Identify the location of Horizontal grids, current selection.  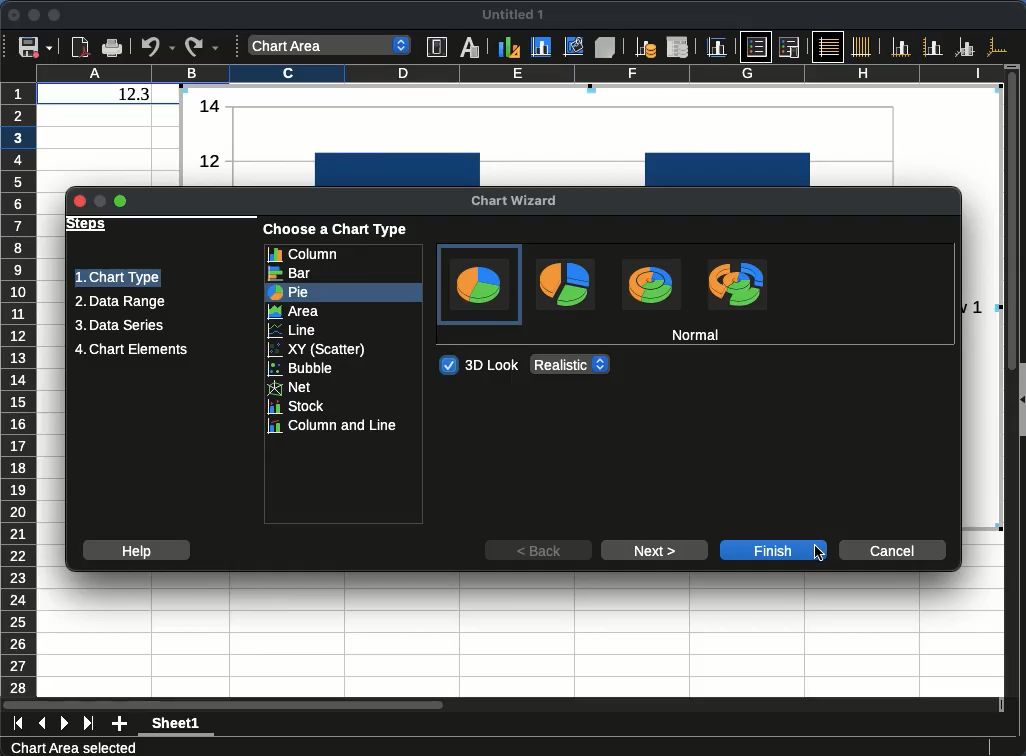
(828, 46).